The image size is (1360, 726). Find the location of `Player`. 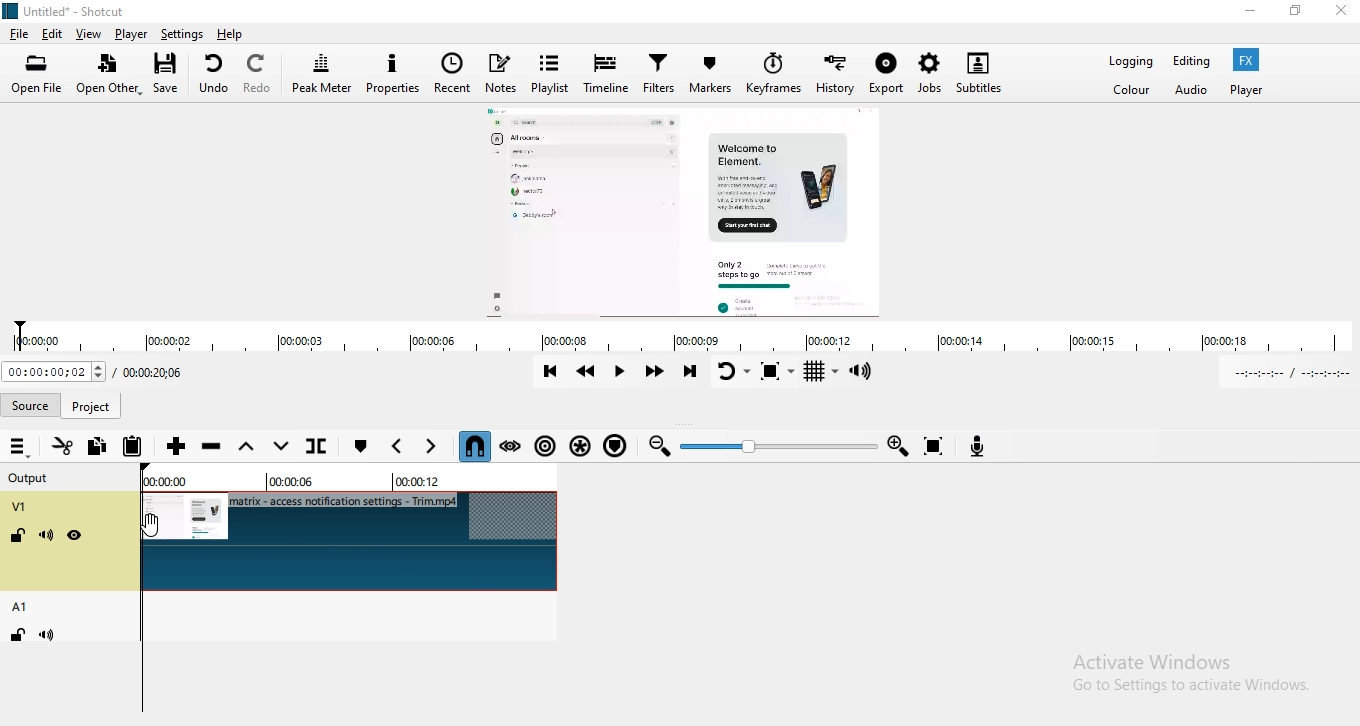

Player is located at coordinates (131, 35).